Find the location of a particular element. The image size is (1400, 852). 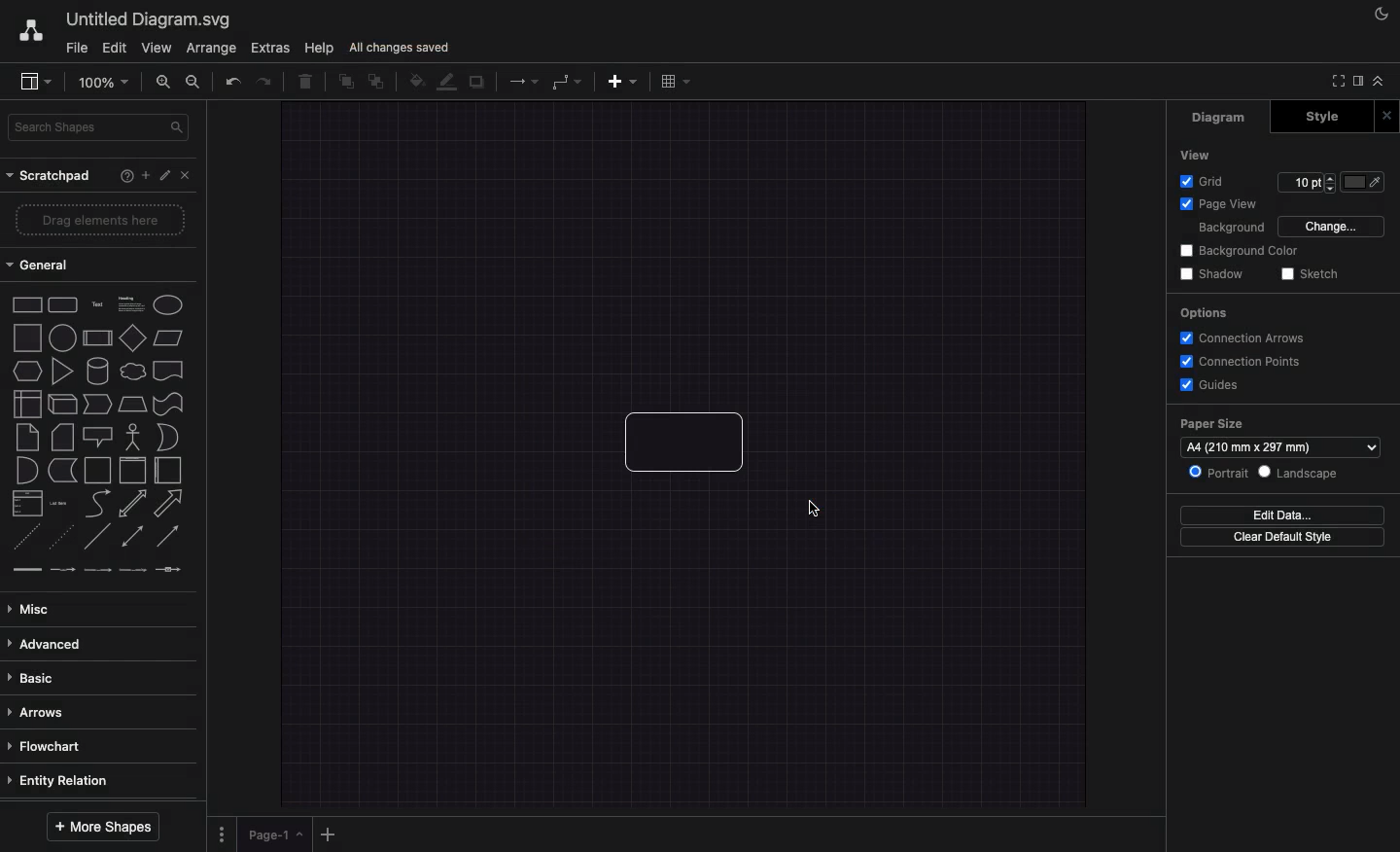

Fill is located at coordinates (1370, 183).